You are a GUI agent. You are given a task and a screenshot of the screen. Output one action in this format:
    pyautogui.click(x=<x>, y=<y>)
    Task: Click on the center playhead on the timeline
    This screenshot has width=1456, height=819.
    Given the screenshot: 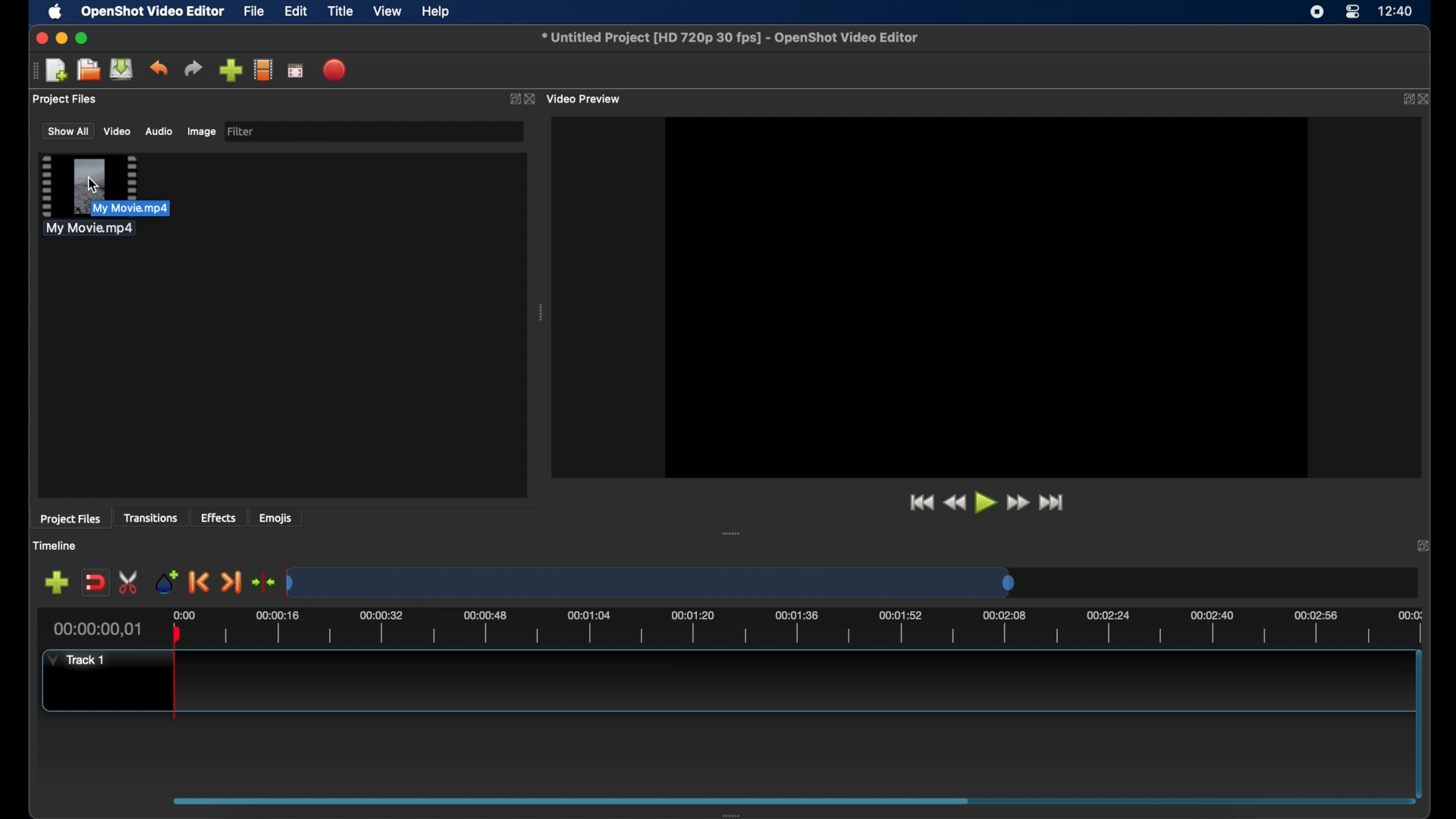 What is the action you would take?
    pyautogui.click(x=262, y=582)
    